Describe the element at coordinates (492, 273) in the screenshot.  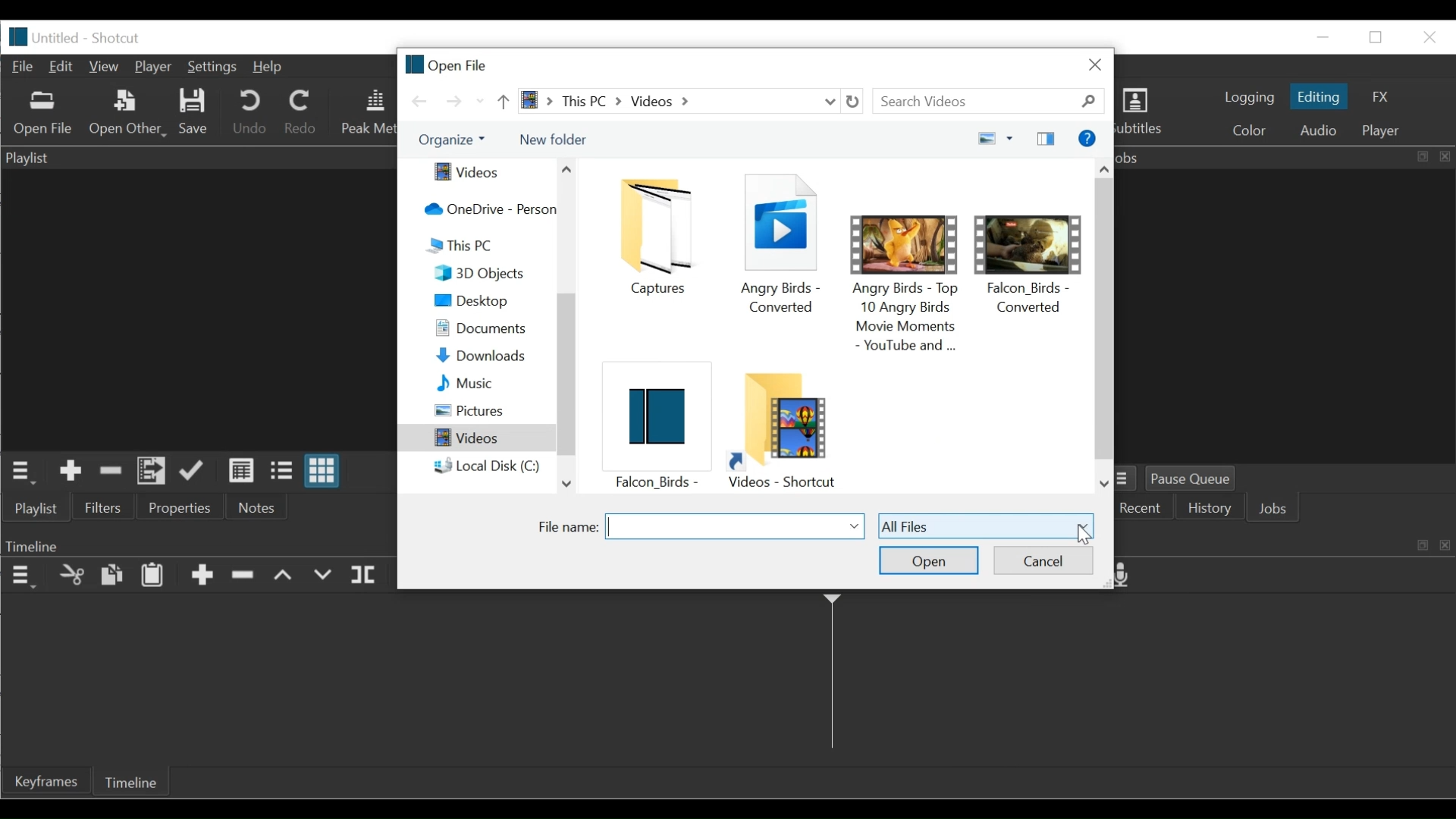
I see `3D Objects` at that location.